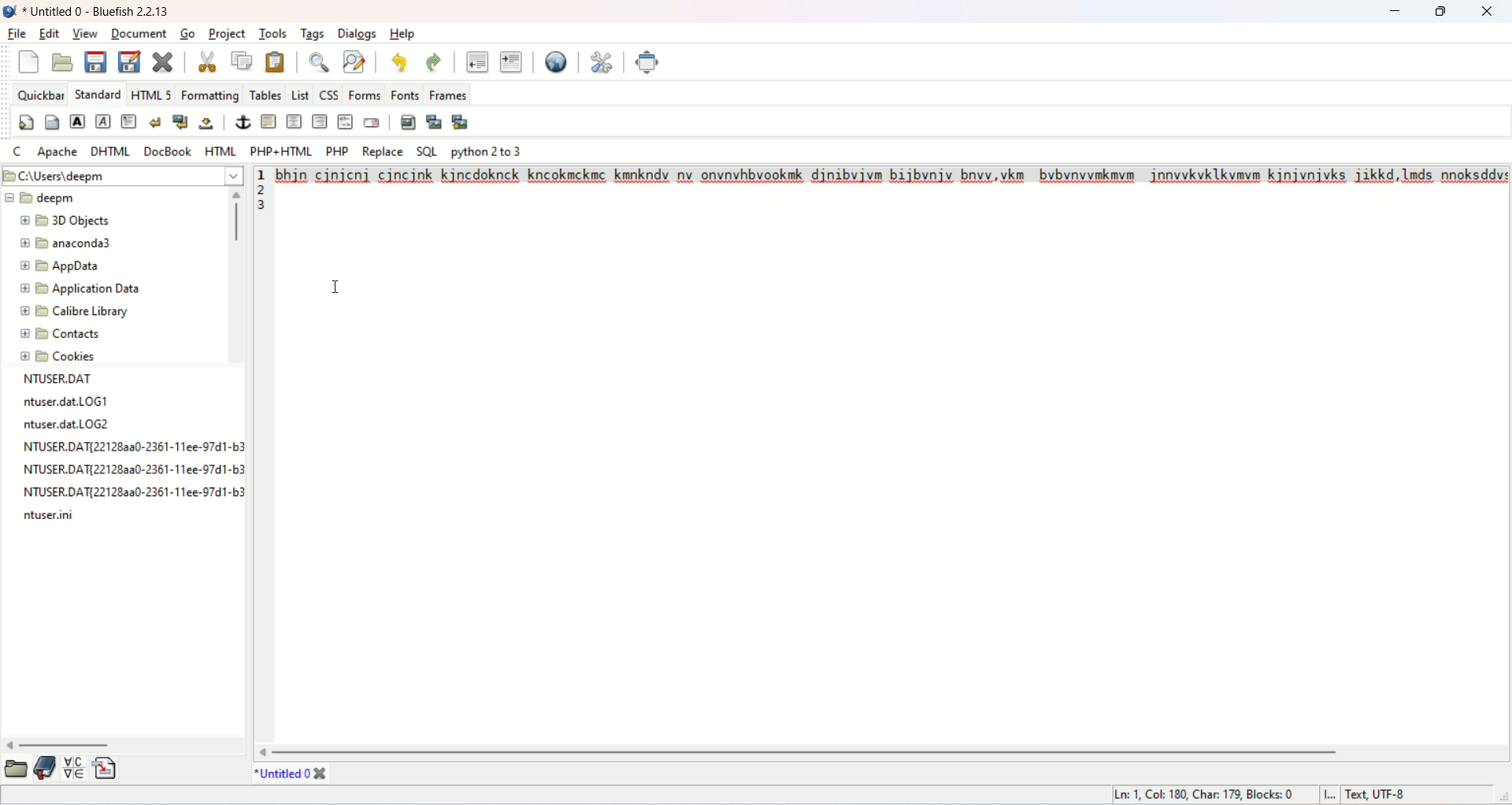  I want to click on emphasize, so click(106, 121).